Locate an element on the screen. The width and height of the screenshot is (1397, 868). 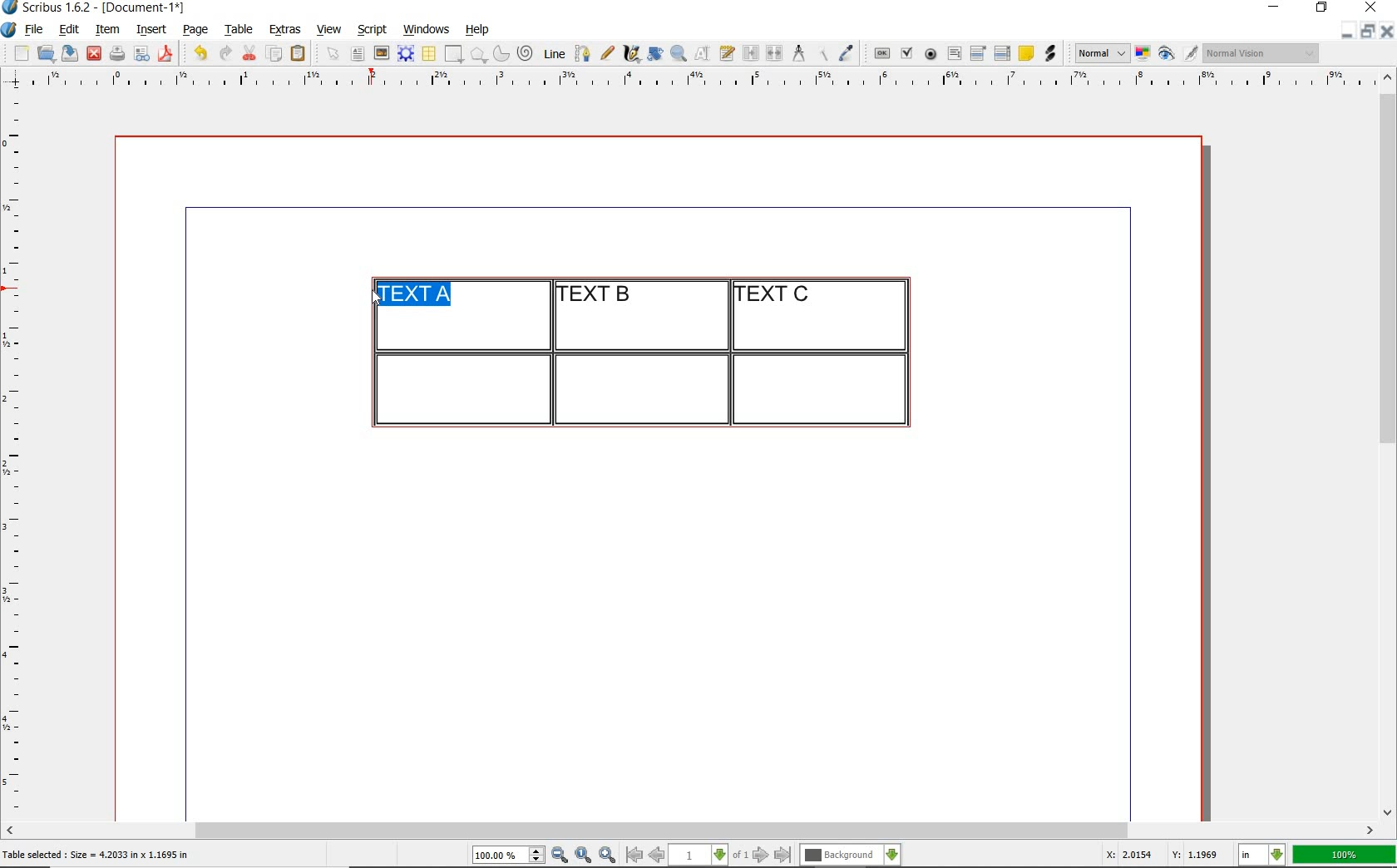
X: 2.0154 Y: 1.1969 is located at coordinates (1165, 855).